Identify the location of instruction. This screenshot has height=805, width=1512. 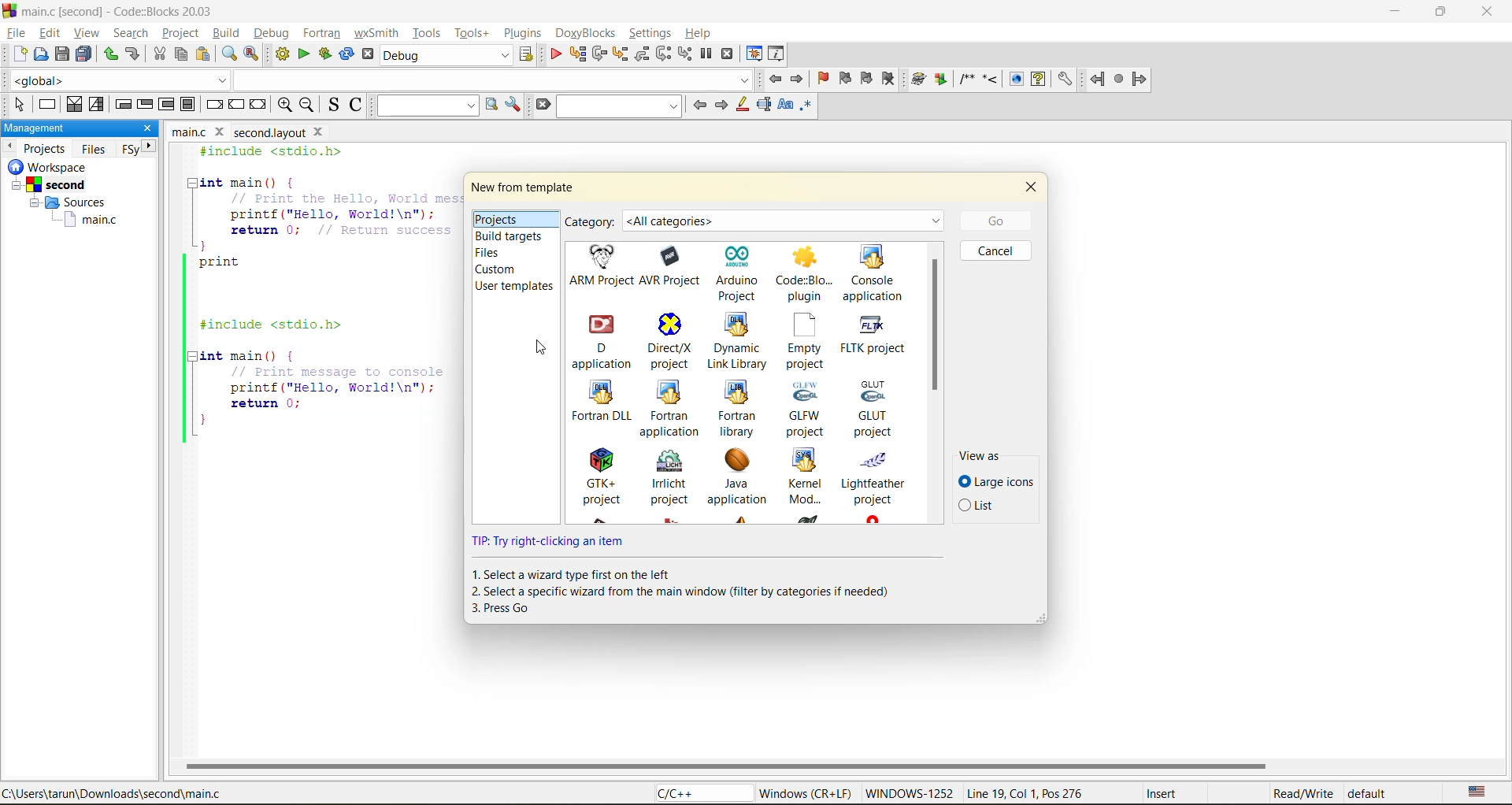
(691, 590).